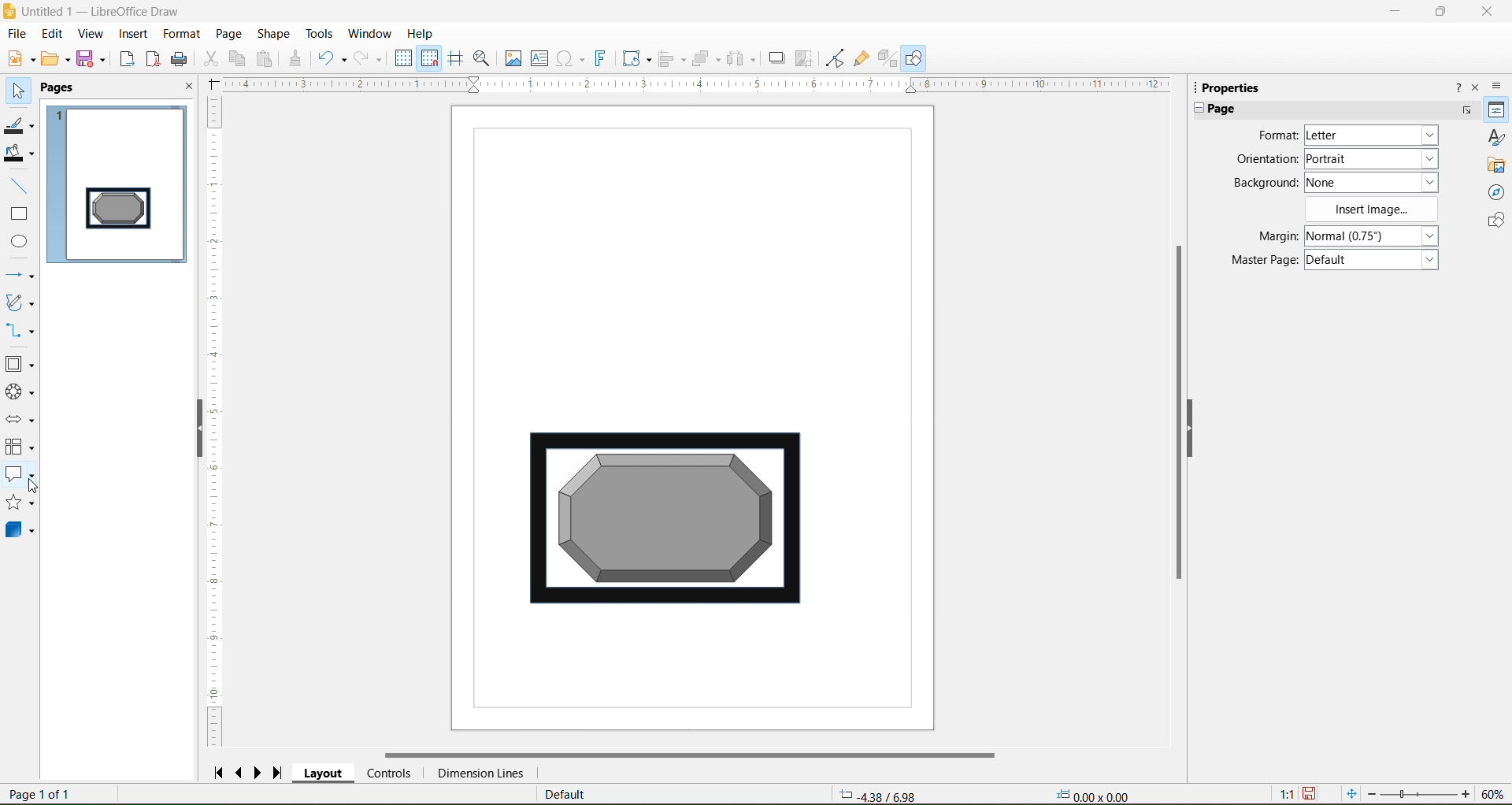  What do you see at coordinates (1284, 794) in the screenshot?
I see `1:1` at bounding box center [1284, 794].